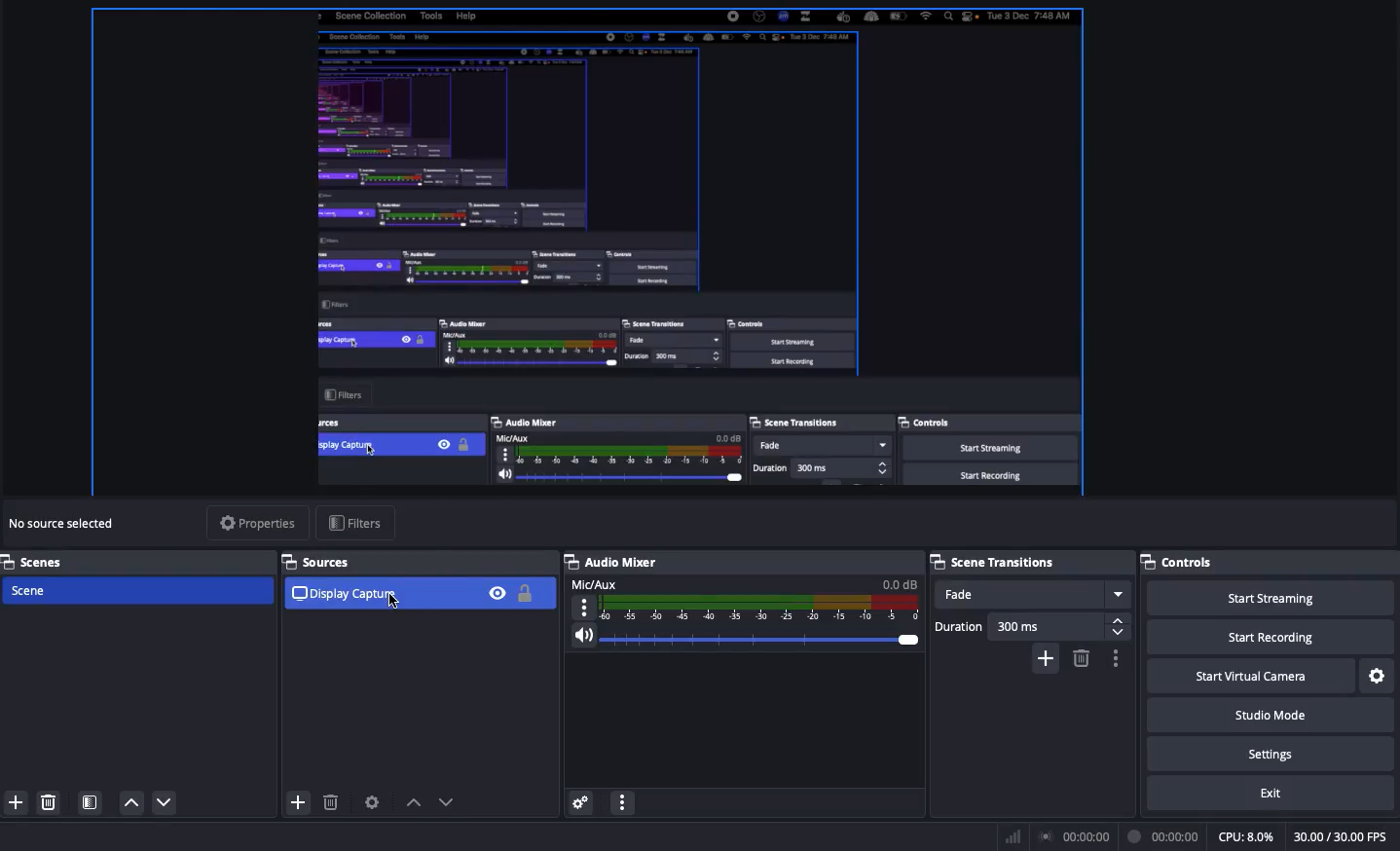  What do you see at coordinates (1013, 836) in the screenshot?
I see `Bars` at bounding box center [1013, 836].